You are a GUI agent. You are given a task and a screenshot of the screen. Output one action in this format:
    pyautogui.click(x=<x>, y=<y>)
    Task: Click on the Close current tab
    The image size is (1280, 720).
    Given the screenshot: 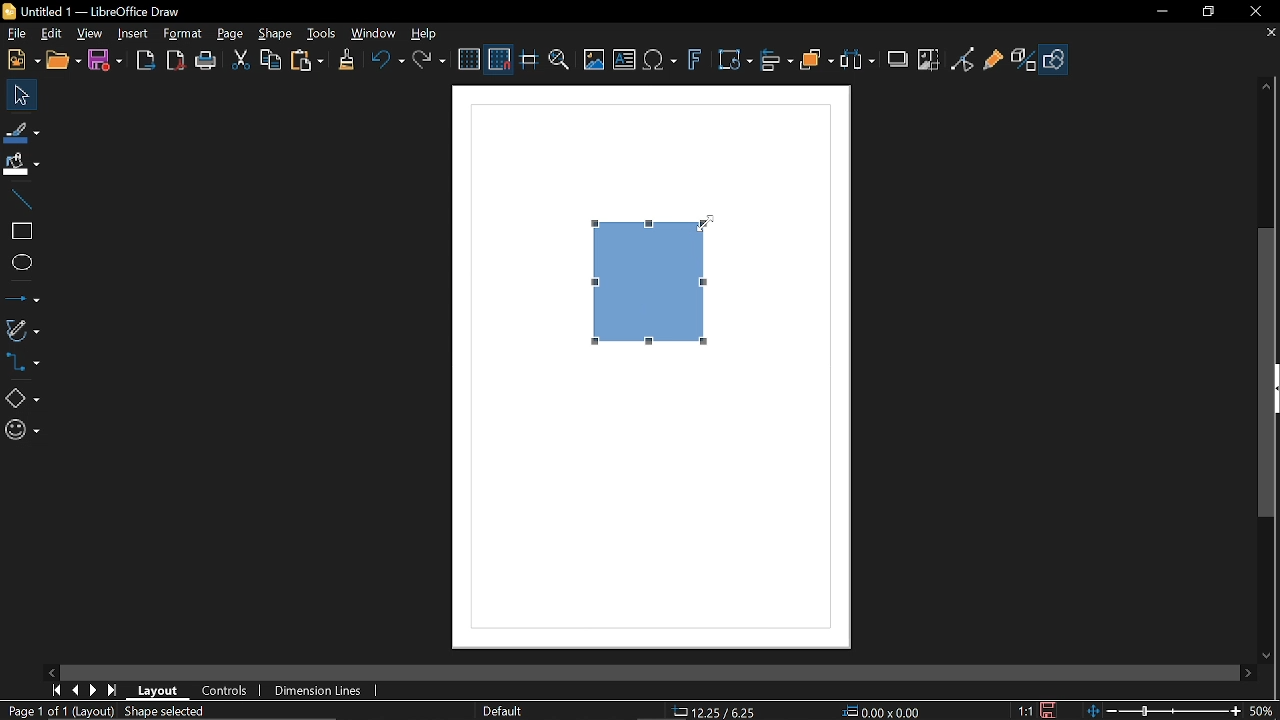 What is the action you would take?
    pyautogui.click(x=1270, y=33)
    